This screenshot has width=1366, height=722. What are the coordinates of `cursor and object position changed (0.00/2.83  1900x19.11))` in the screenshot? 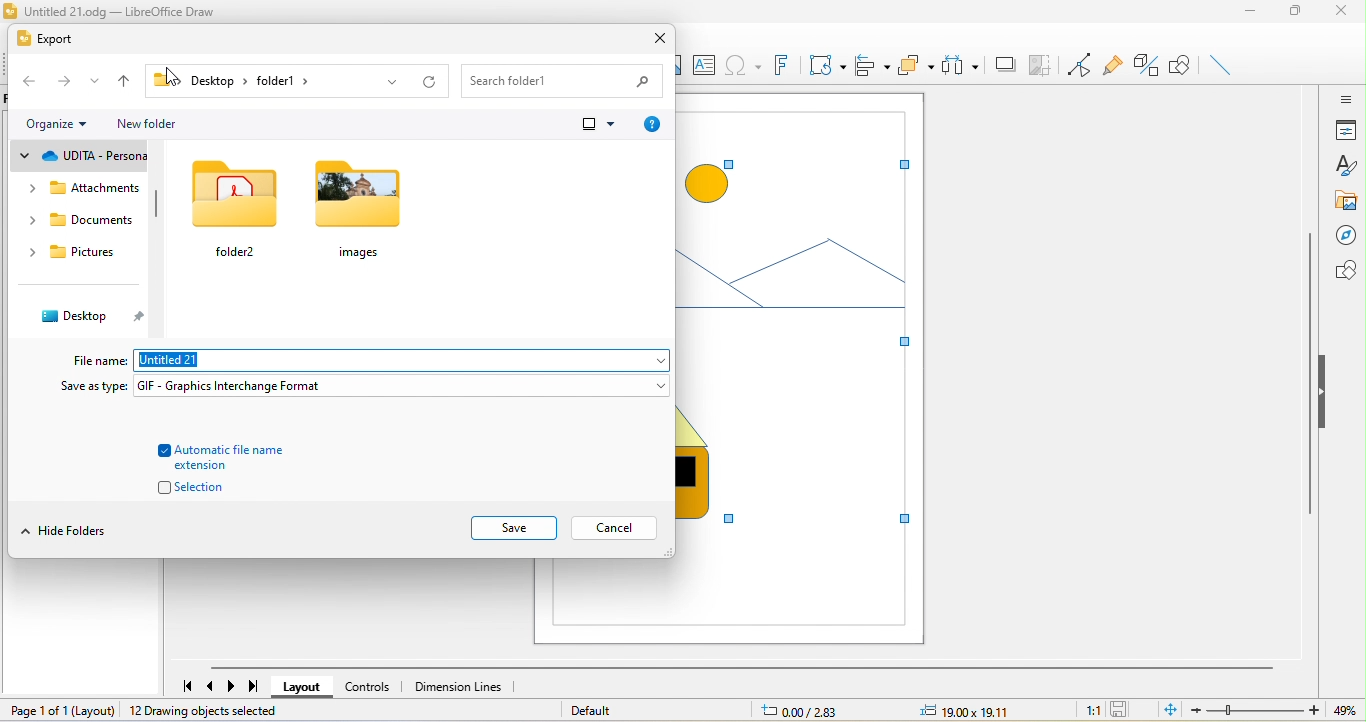 It's located at (895, 711).